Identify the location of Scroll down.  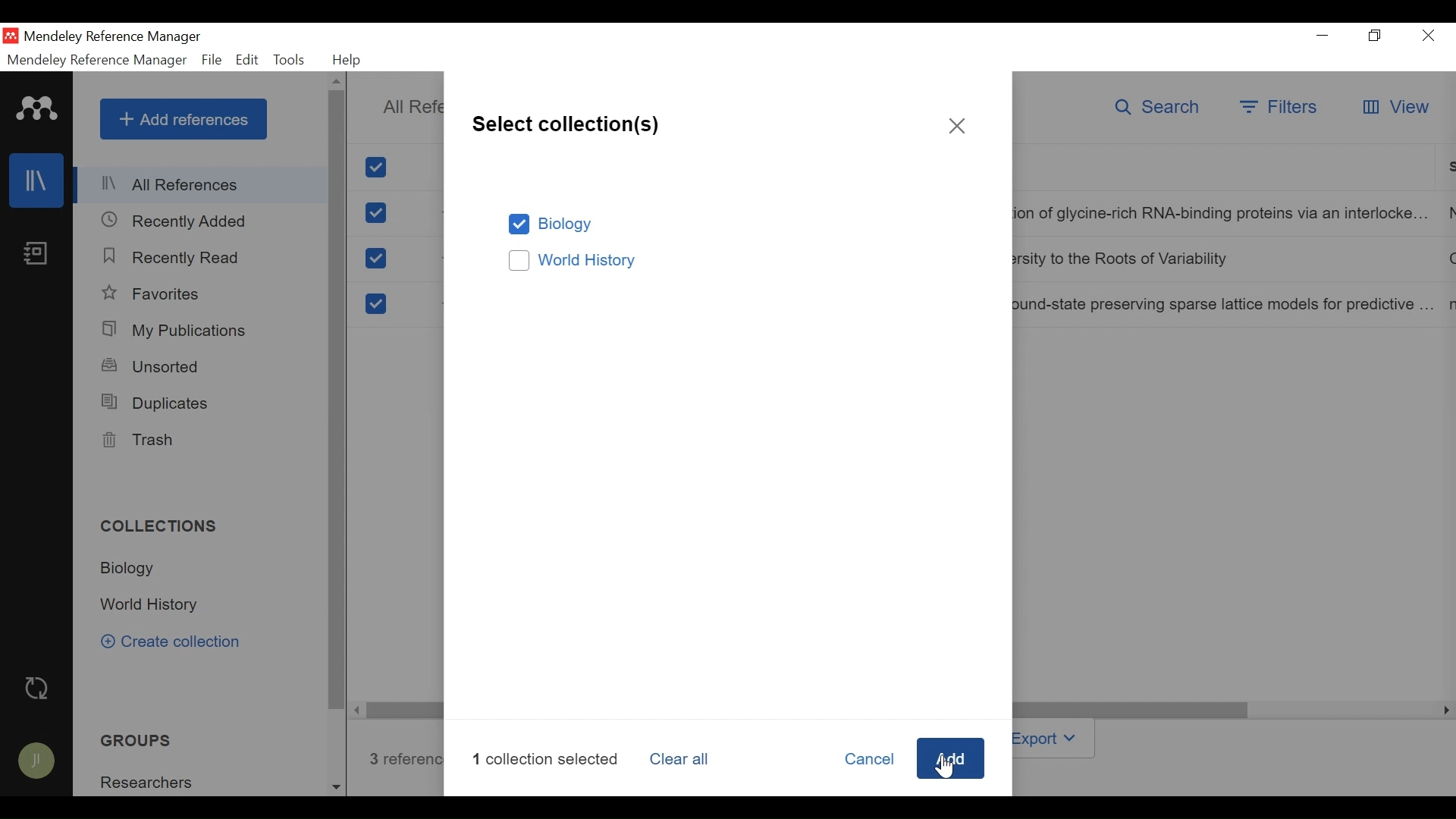
(336, 785).